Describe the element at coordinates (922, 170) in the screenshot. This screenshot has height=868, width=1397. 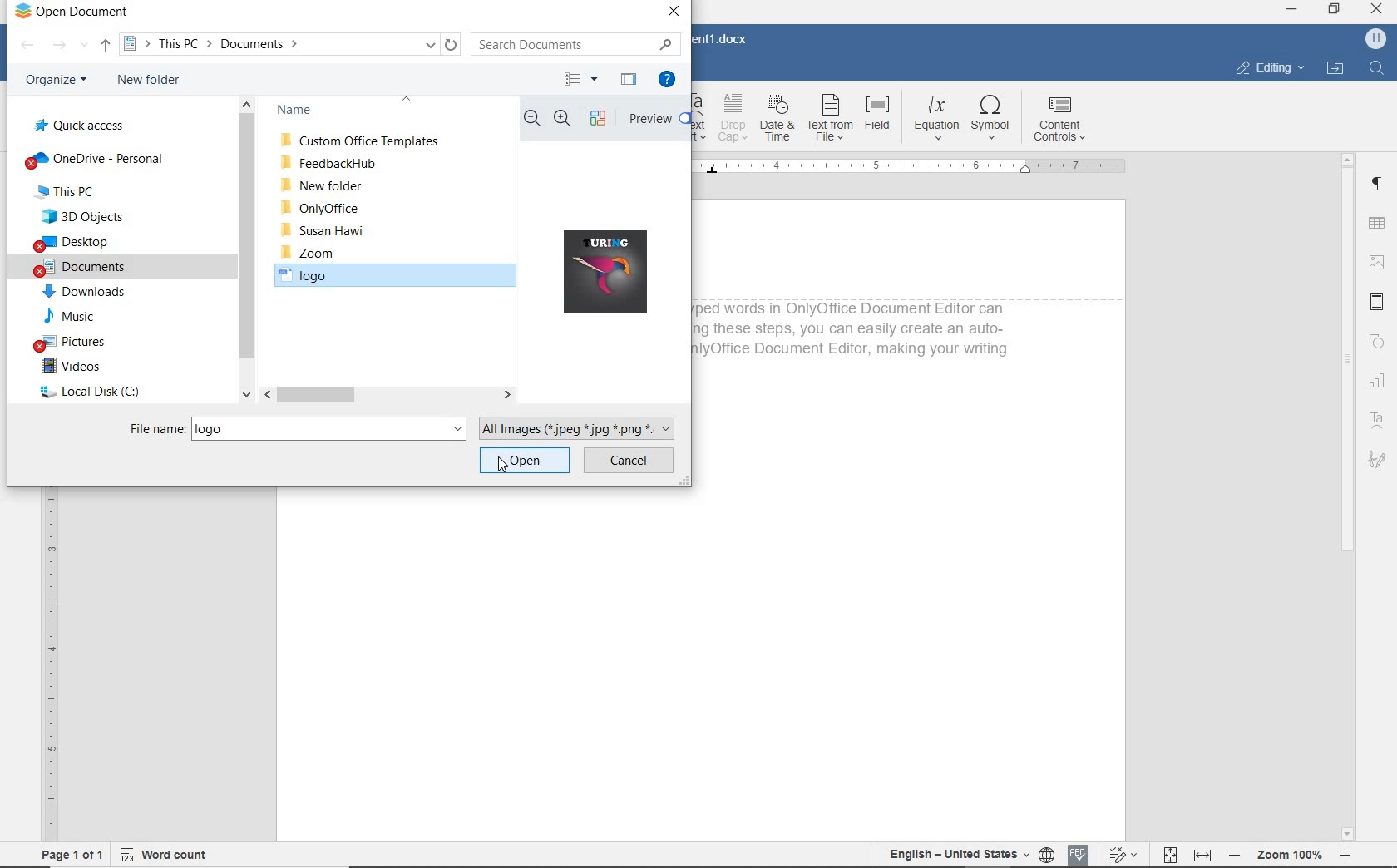
I see `RULER` at that location.